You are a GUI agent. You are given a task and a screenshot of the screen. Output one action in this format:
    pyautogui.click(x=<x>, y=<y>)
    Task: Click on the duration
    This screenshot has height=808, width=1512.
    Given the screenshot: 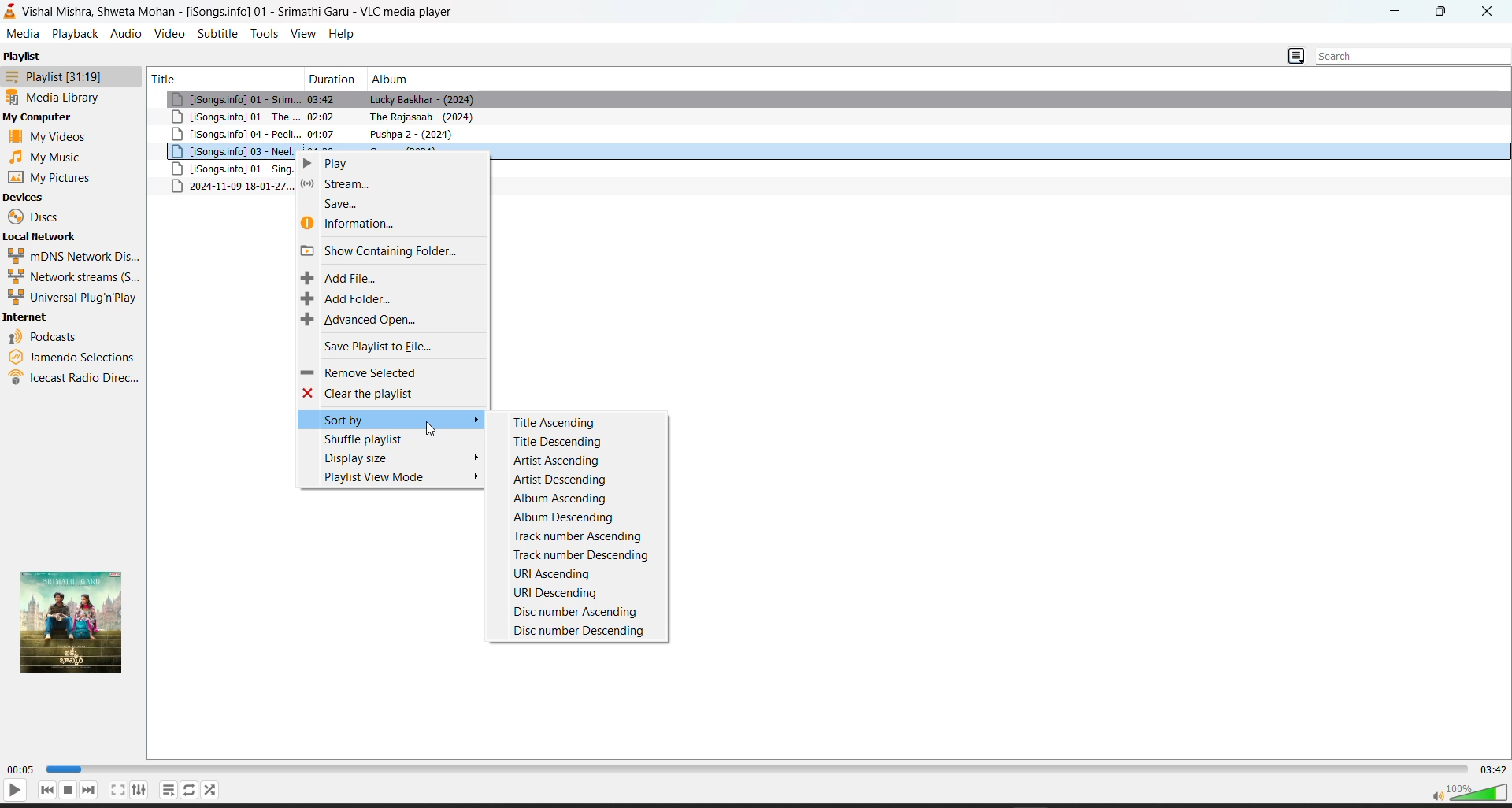 What is the action you would take?
    pyautogui.click(x=333, y=78)
    